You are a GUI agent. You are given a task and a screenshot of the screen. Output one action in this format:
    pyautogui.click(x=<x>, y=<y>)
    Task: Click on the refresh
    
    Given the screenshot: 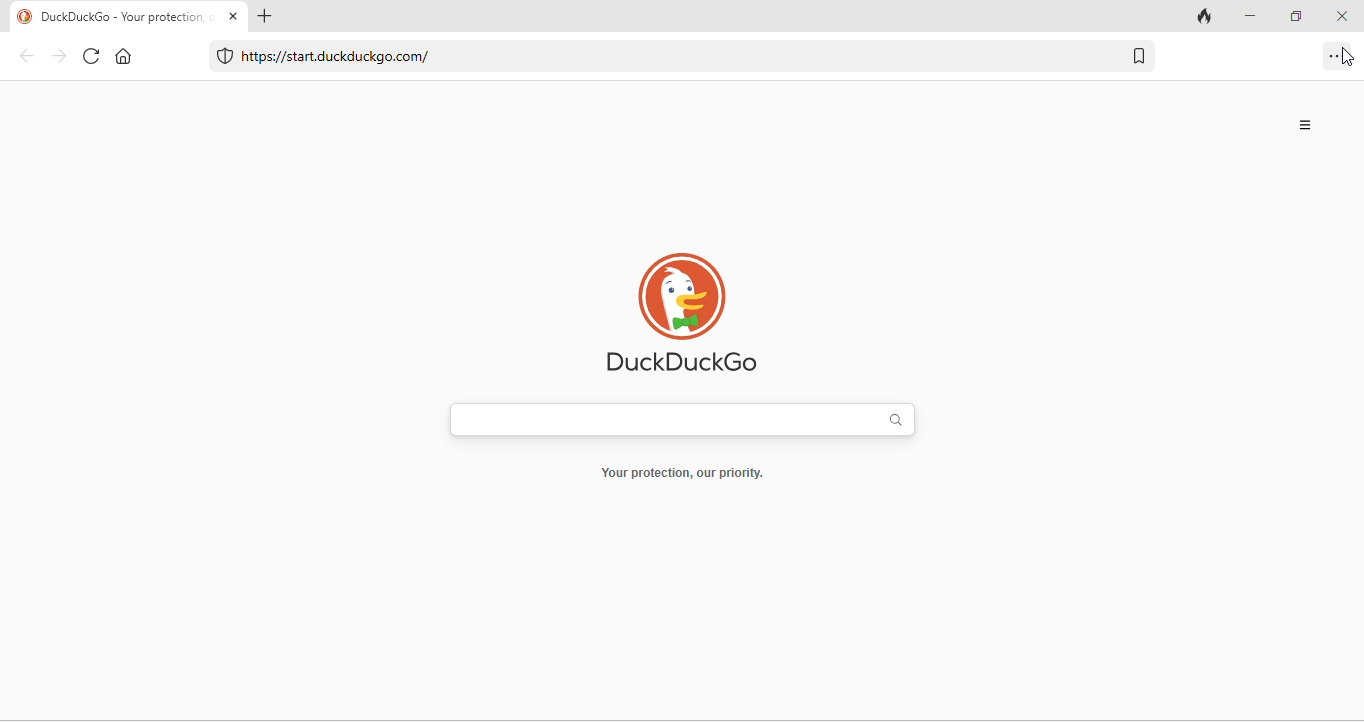 What is the action you would take?
    pyautogui.click(x=92, y=56)
    